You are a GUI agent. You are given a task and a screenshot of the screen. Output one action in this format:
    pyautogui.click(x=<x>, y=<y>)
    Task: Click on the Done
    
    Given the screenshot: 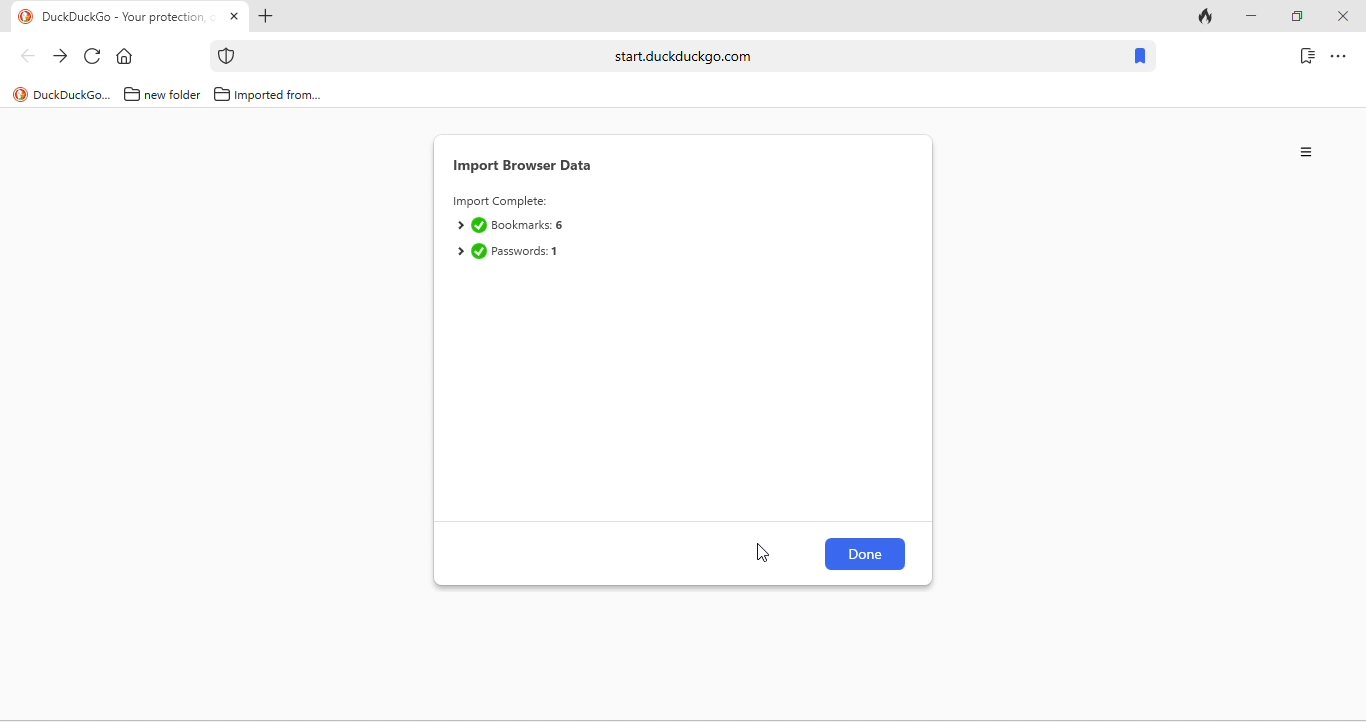 What is the action you would take?
    pyautogui.click(x=867, y=554)
    